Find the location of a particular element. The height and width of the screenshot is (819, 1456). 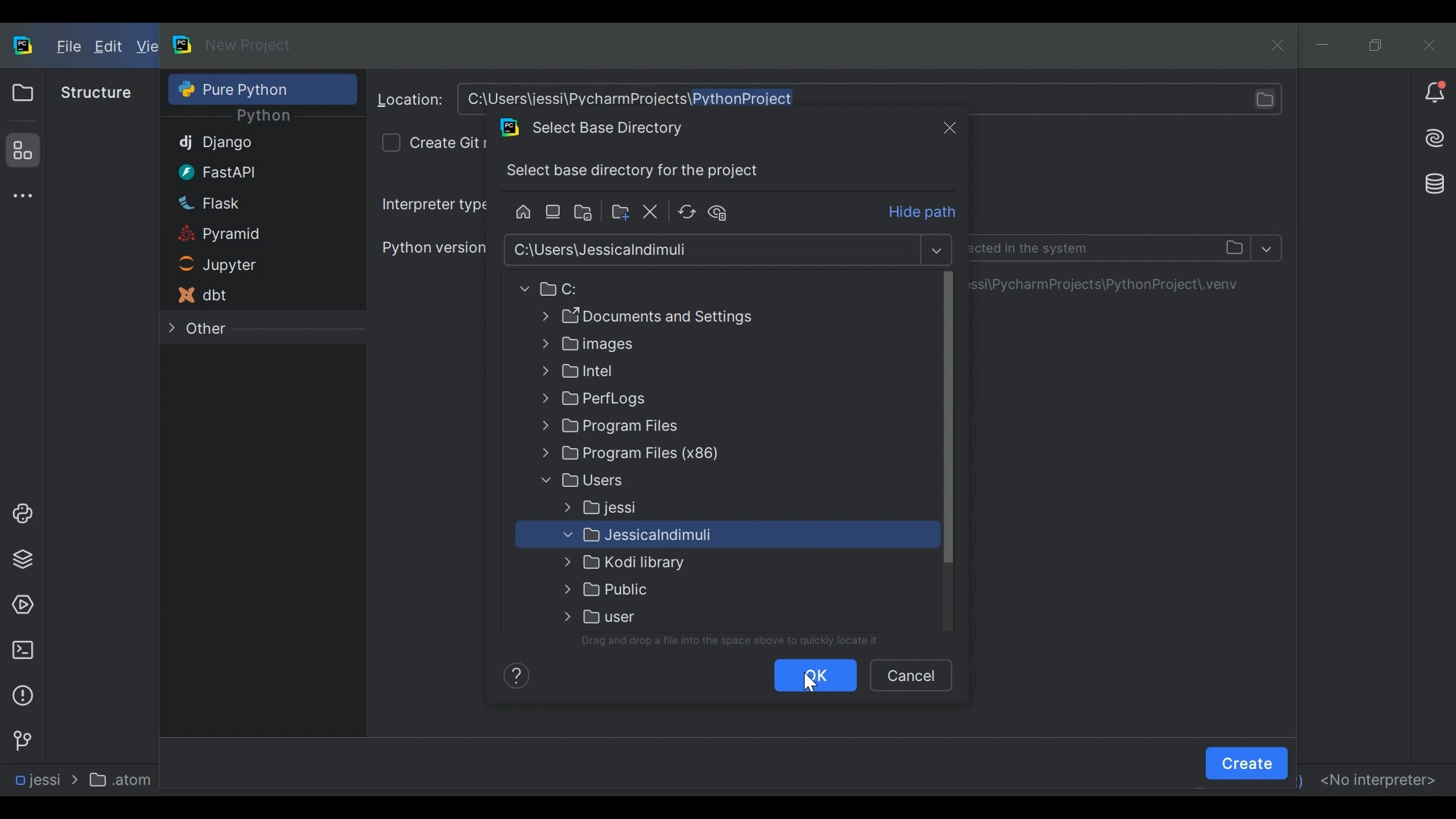

PyCharm is located at coordinates (184, 44).